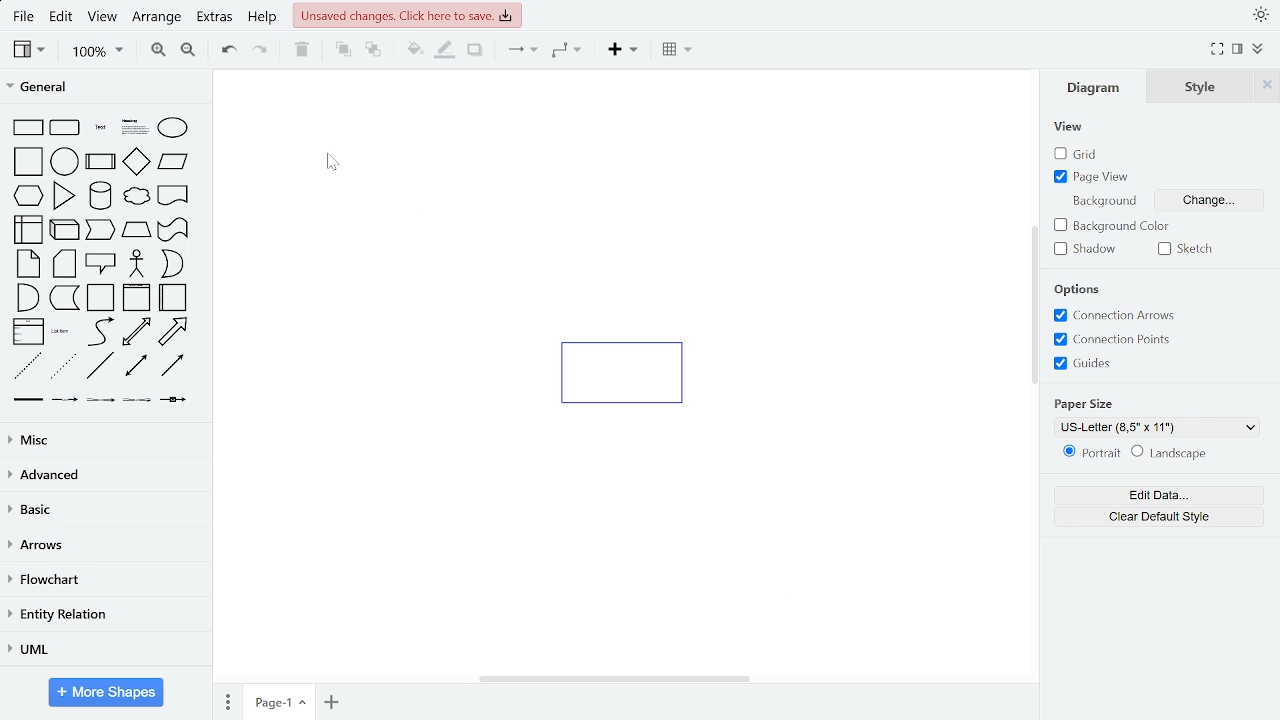  What do you see at coordinates (1114, 339) in the screenshot?
I see `connection points` at bounding box center [1114, 339].